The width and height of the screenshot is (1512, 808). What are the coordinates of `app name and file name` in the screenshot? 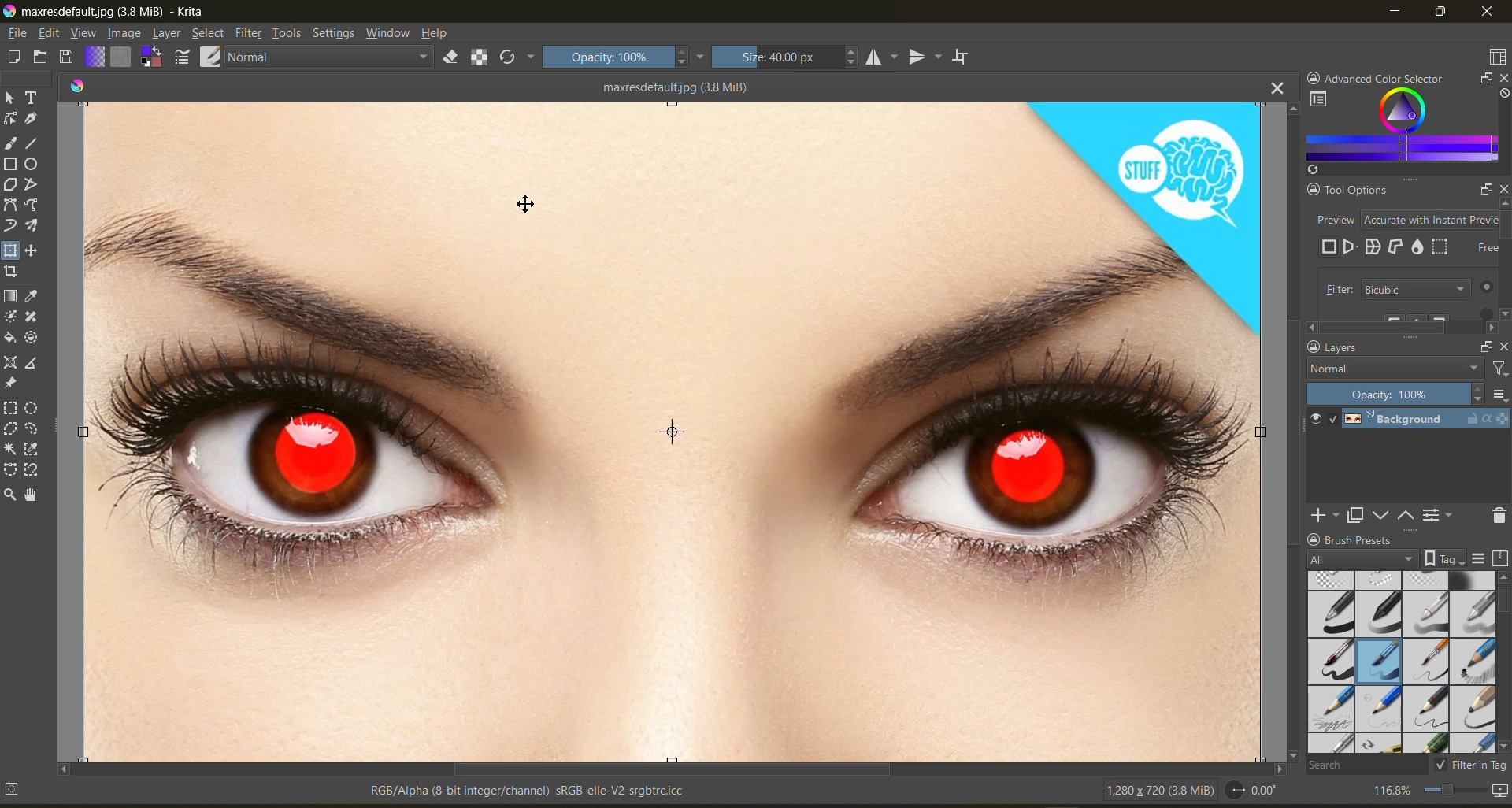 It's located at (112, 13).